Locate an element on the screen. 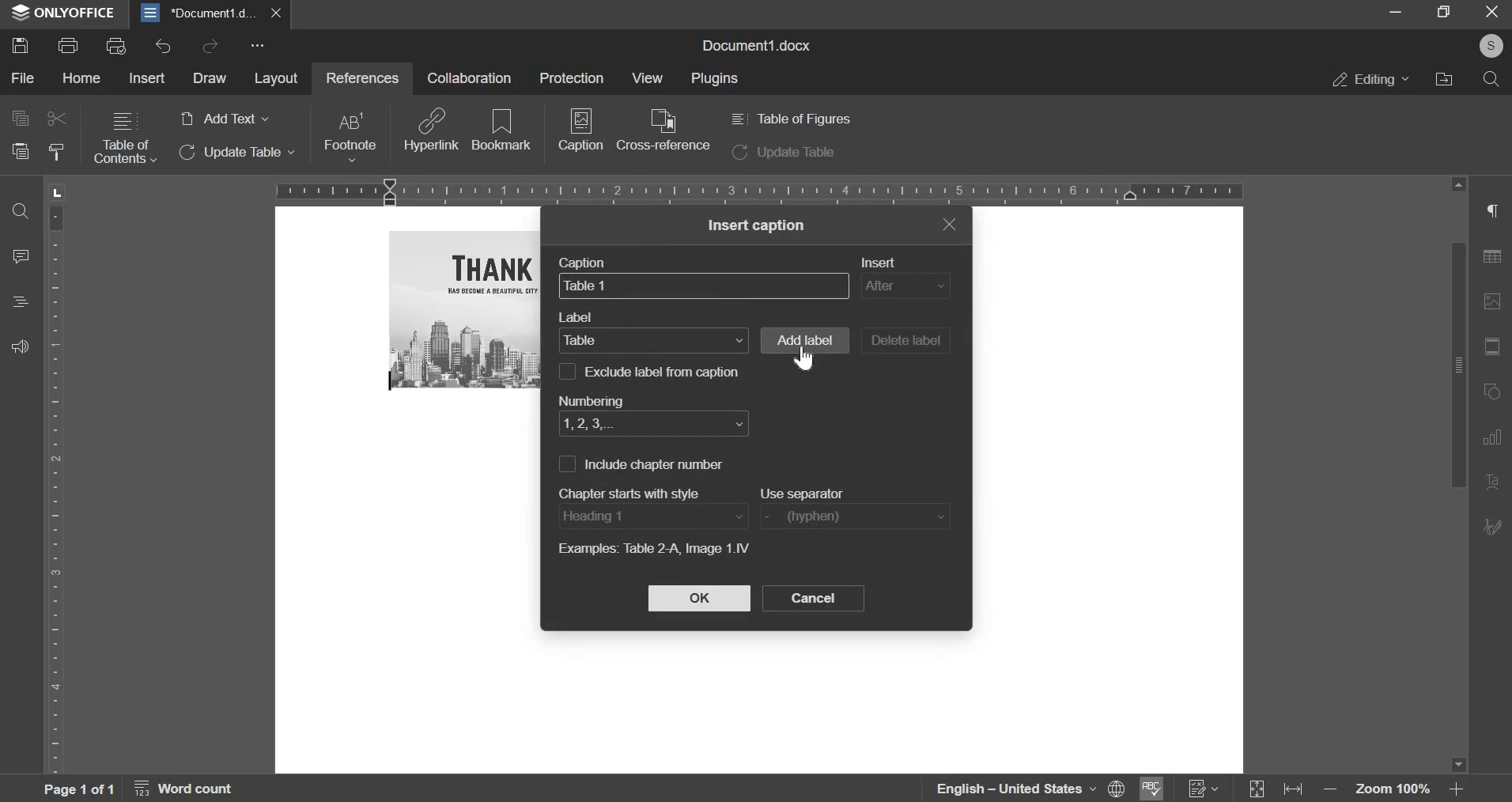  update table is located at coordinates (238, 153).